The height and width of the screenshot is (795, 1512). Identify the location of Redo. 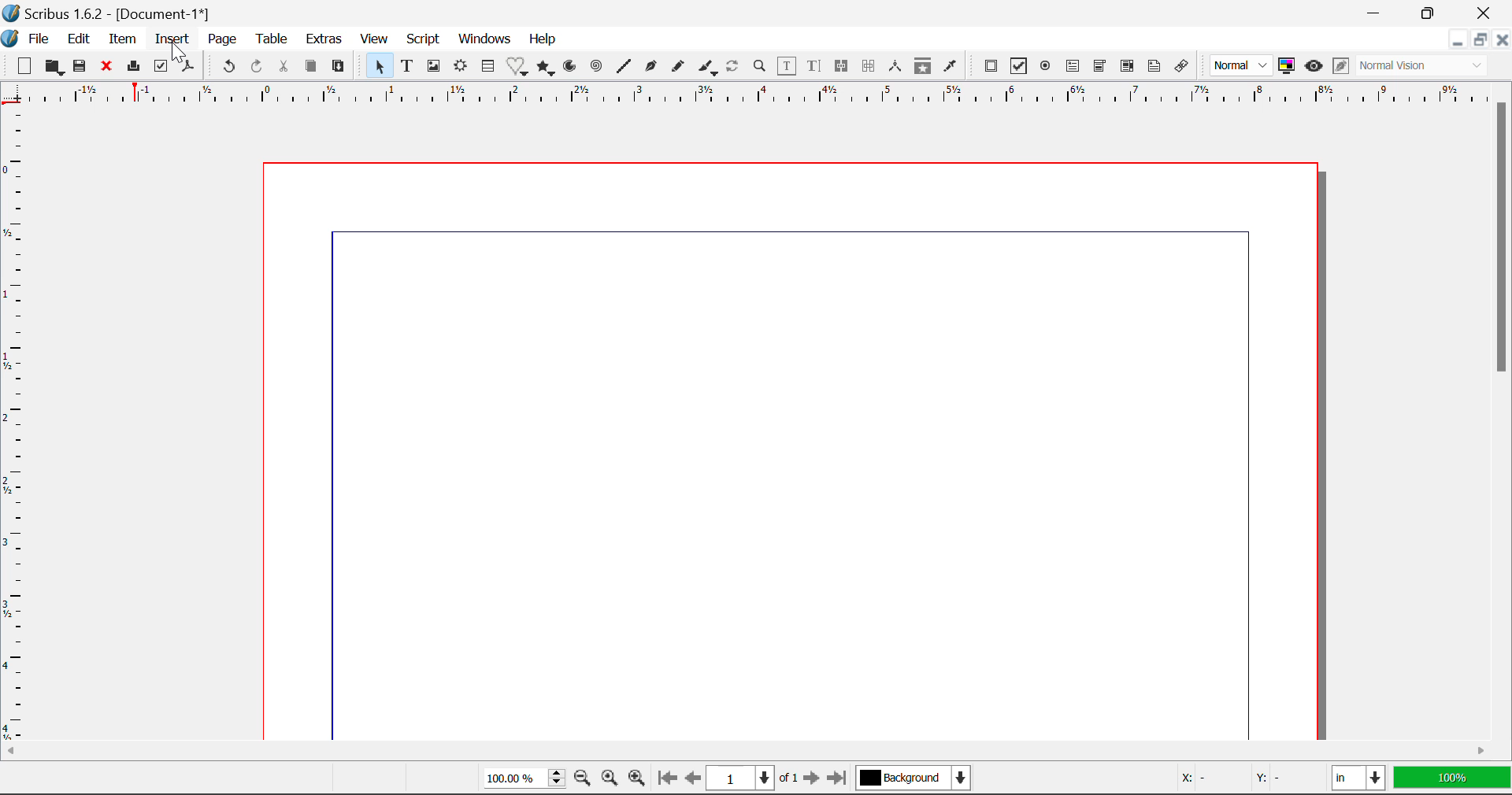
(256, 65).